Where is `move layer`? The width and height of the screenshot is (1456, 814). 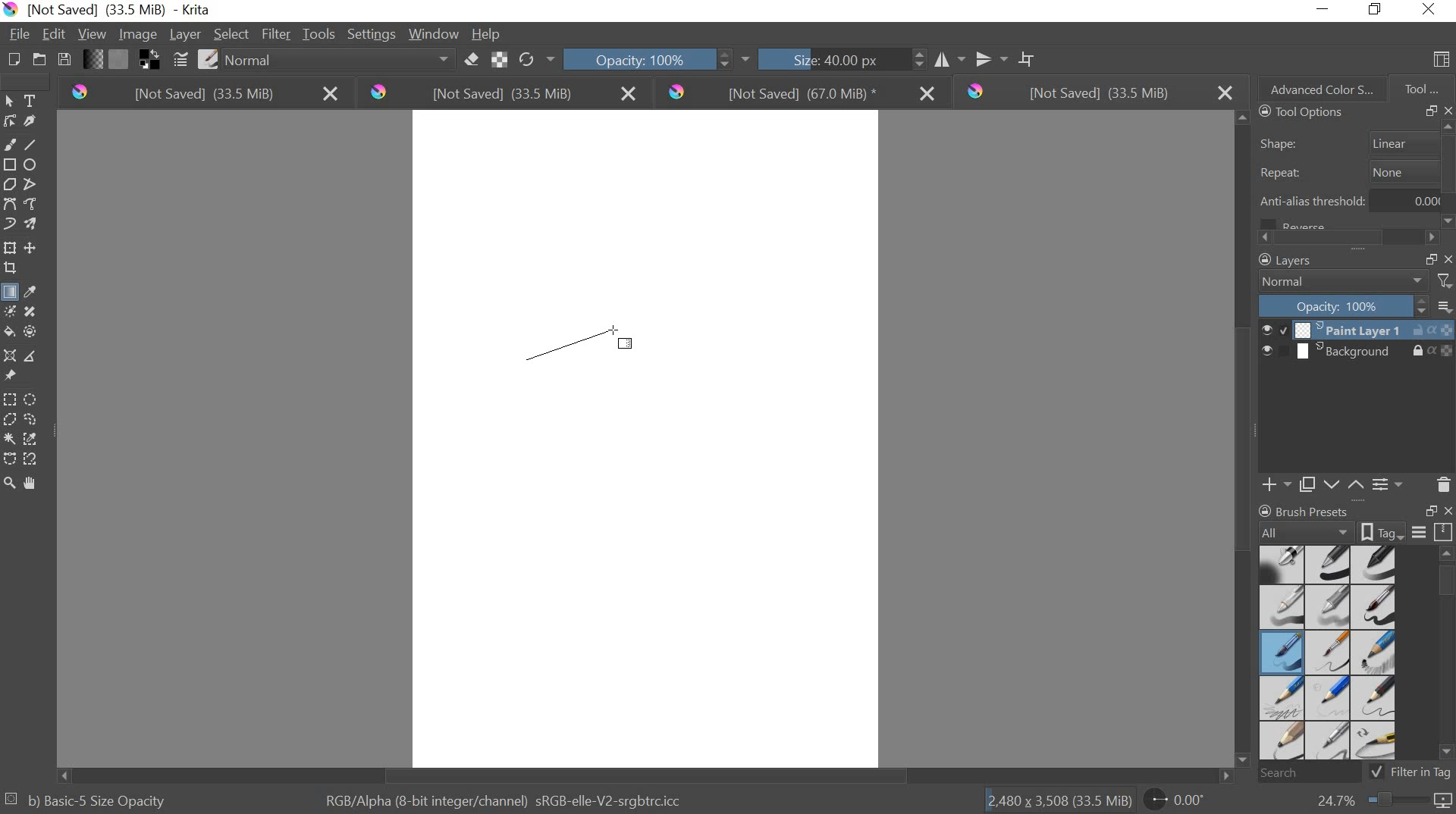
move layer is located at coordinates (33, 249).